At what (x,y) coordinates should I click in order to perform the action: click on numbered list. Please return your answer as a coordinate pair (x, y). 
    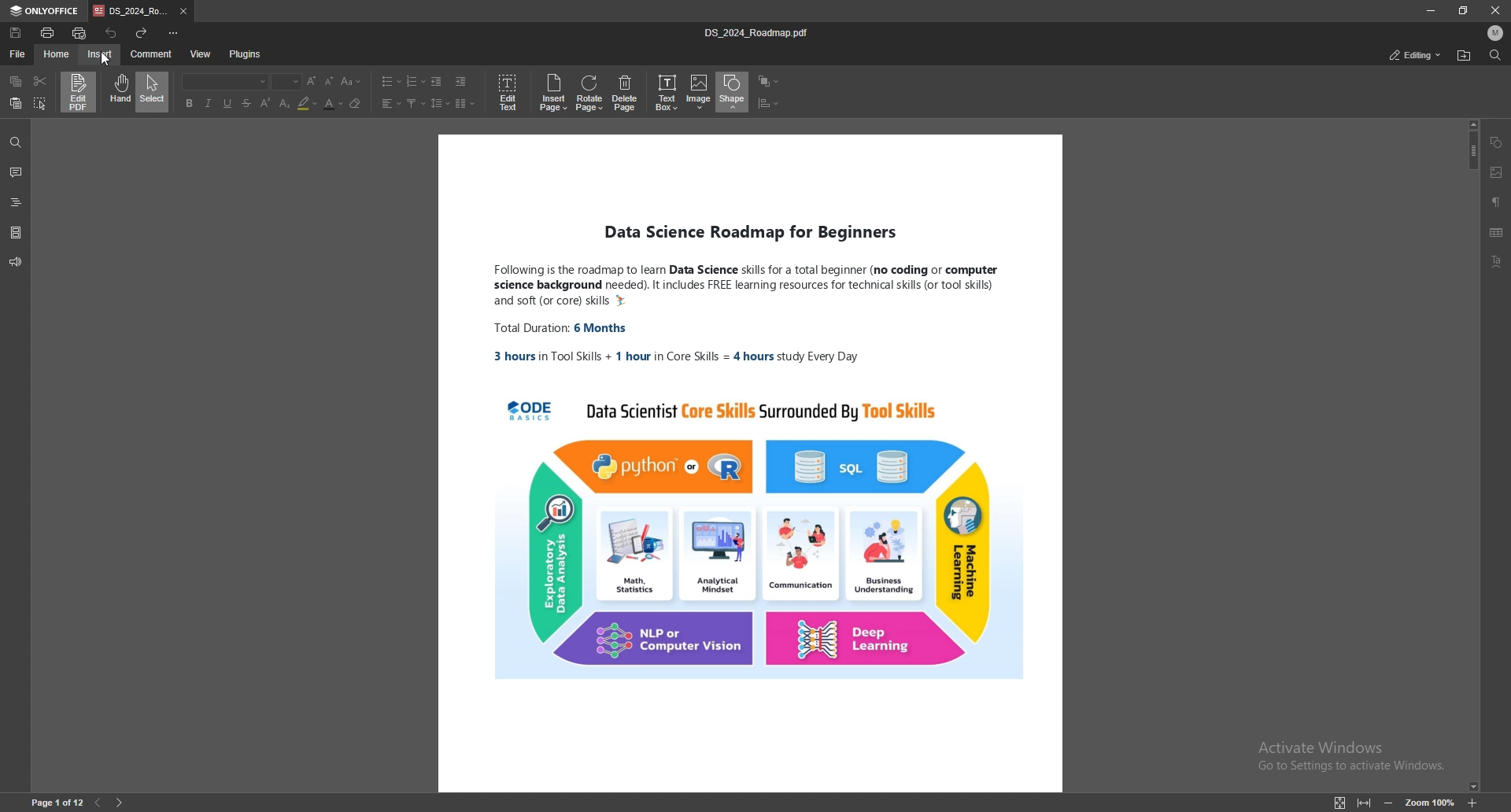
    Looking at the image, I should click on (416, 81).